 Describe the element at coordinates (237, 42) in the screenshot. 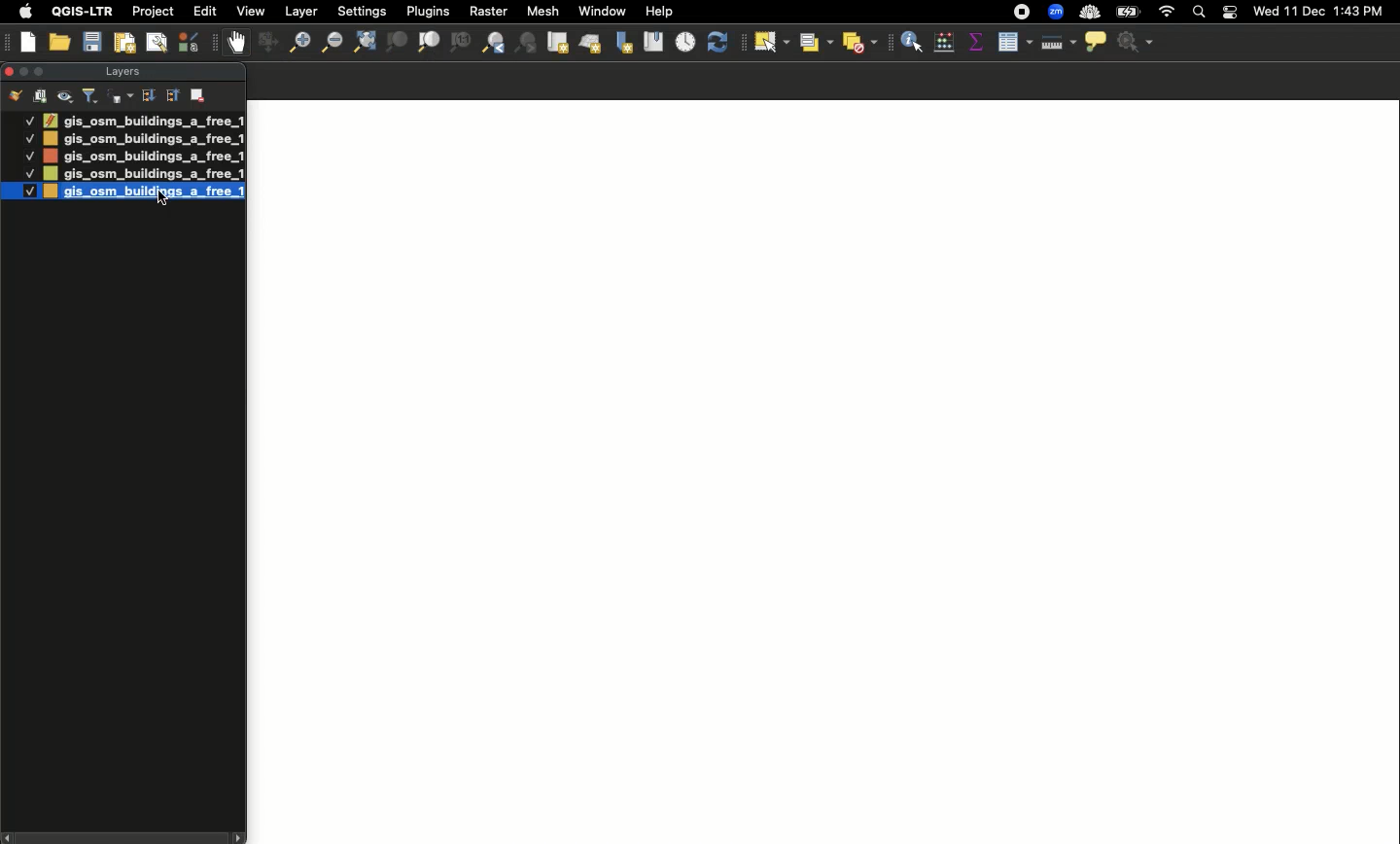

I see `Grab` at that location.